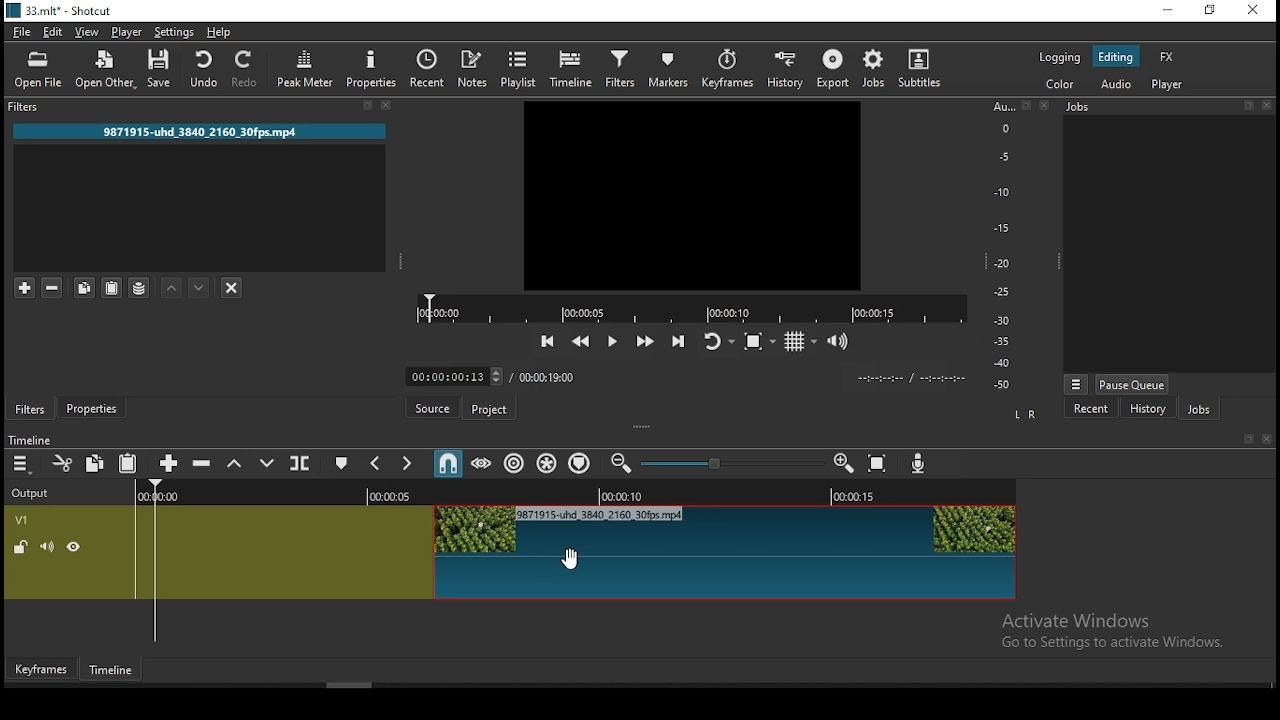 This screenshot has height=720, width=1280. Describe the element at coordinates (164, 70) in the screenshot. I see `save` at that location.